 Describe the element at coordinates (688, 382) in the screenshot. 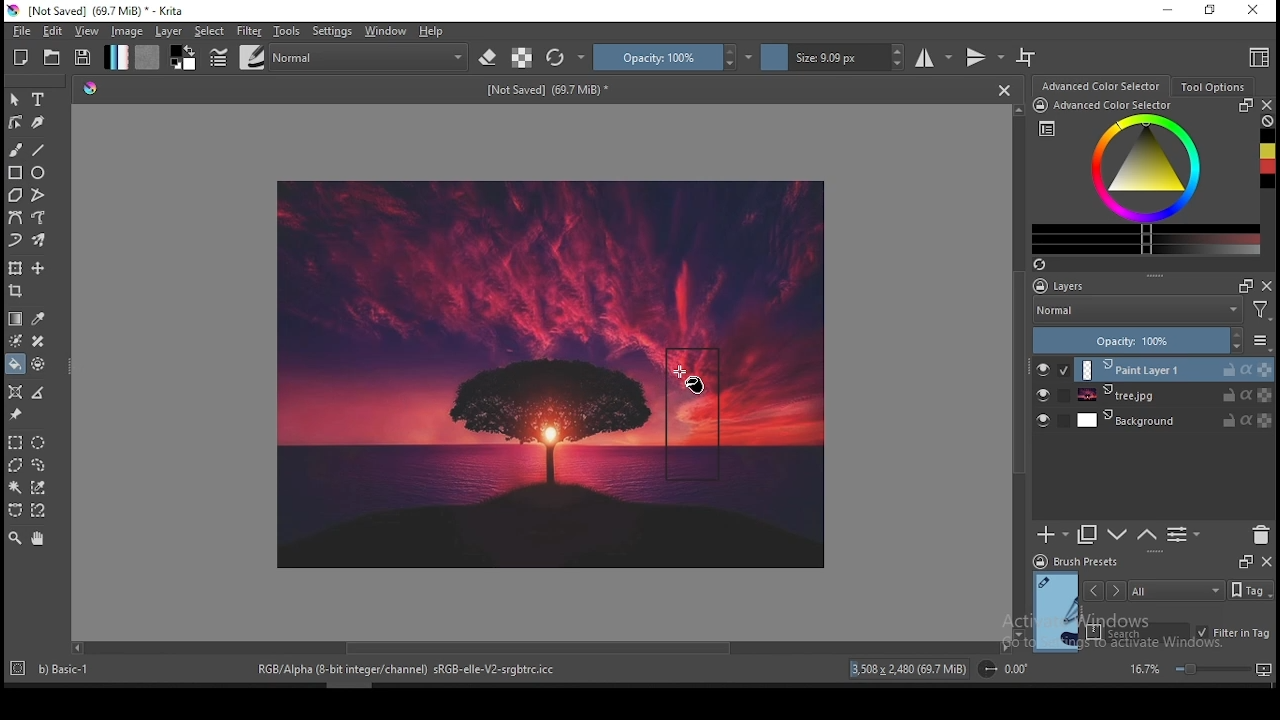

I see `mouse pointer` at that location.